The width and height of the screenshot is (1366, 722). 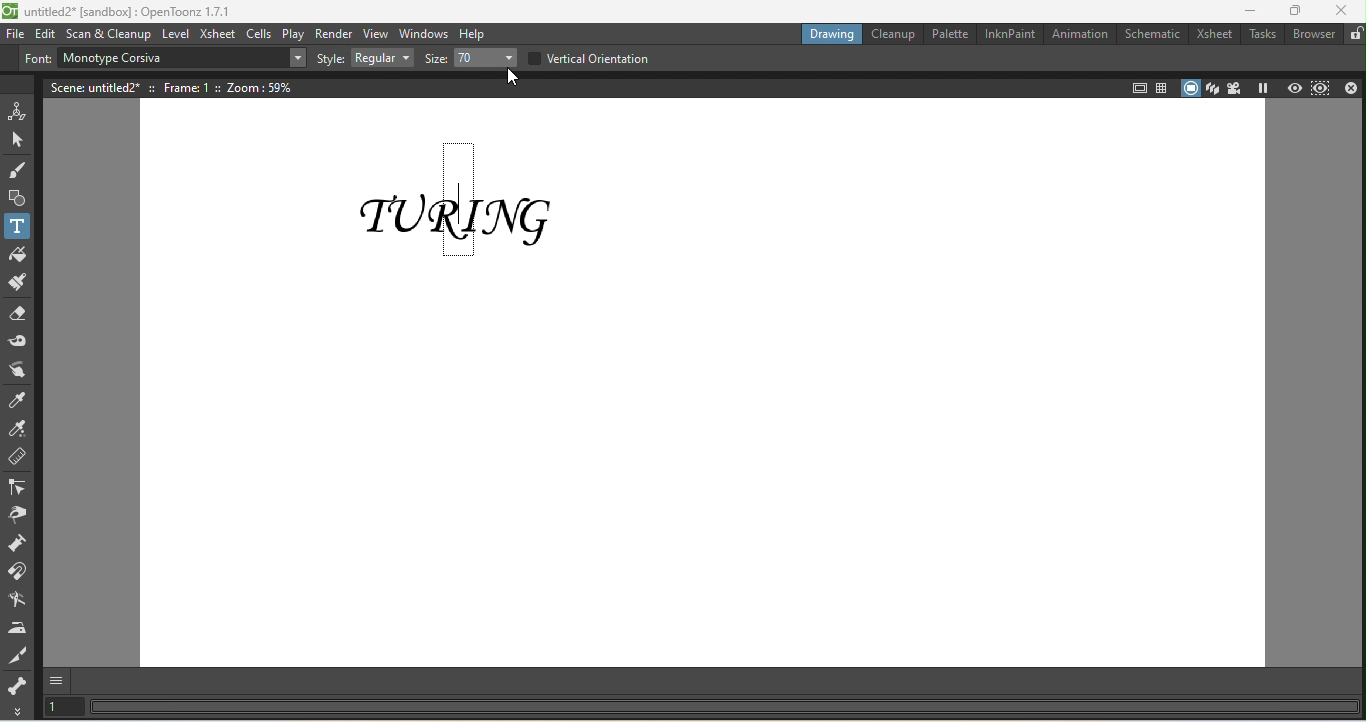 What do you see at coordinates (60, 679) in the screenshot?
I see `GUI Show/hide` at bounding box center [60, 679].